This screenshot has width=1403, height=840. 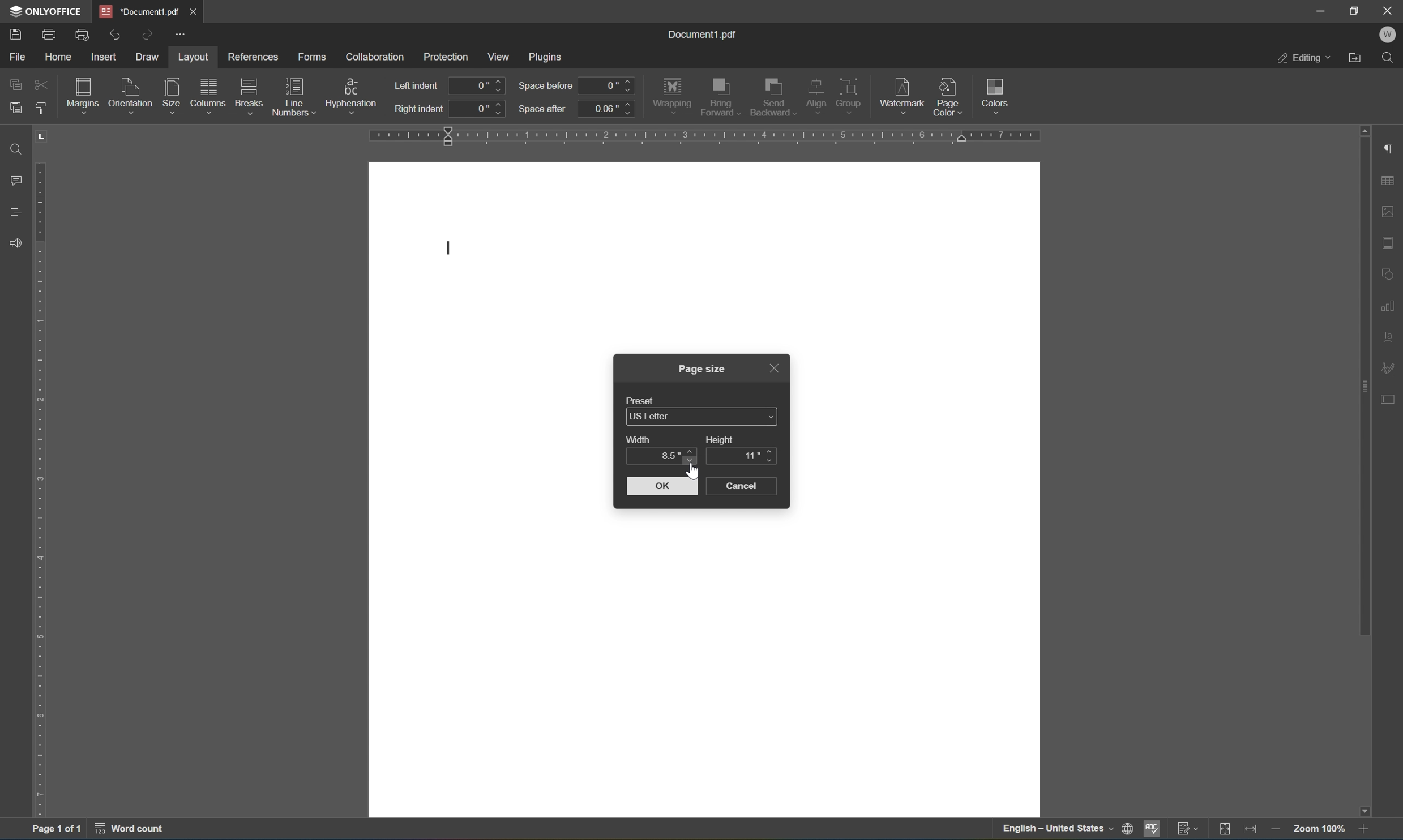 I want to click on plugins, so click(x=548, y=55).